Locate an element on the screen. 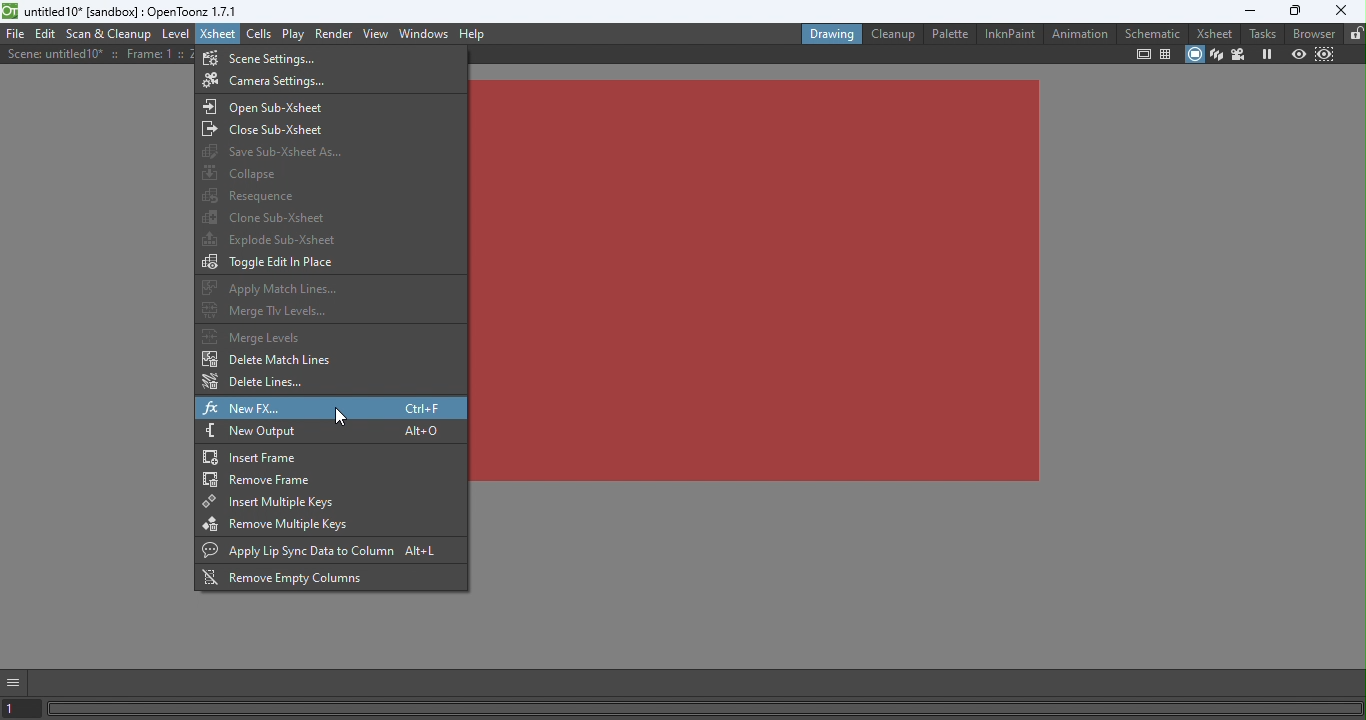 The width and height of the screenshot is (1366, 720). Close sub-Xsheet is located at coordinates (272, 129).